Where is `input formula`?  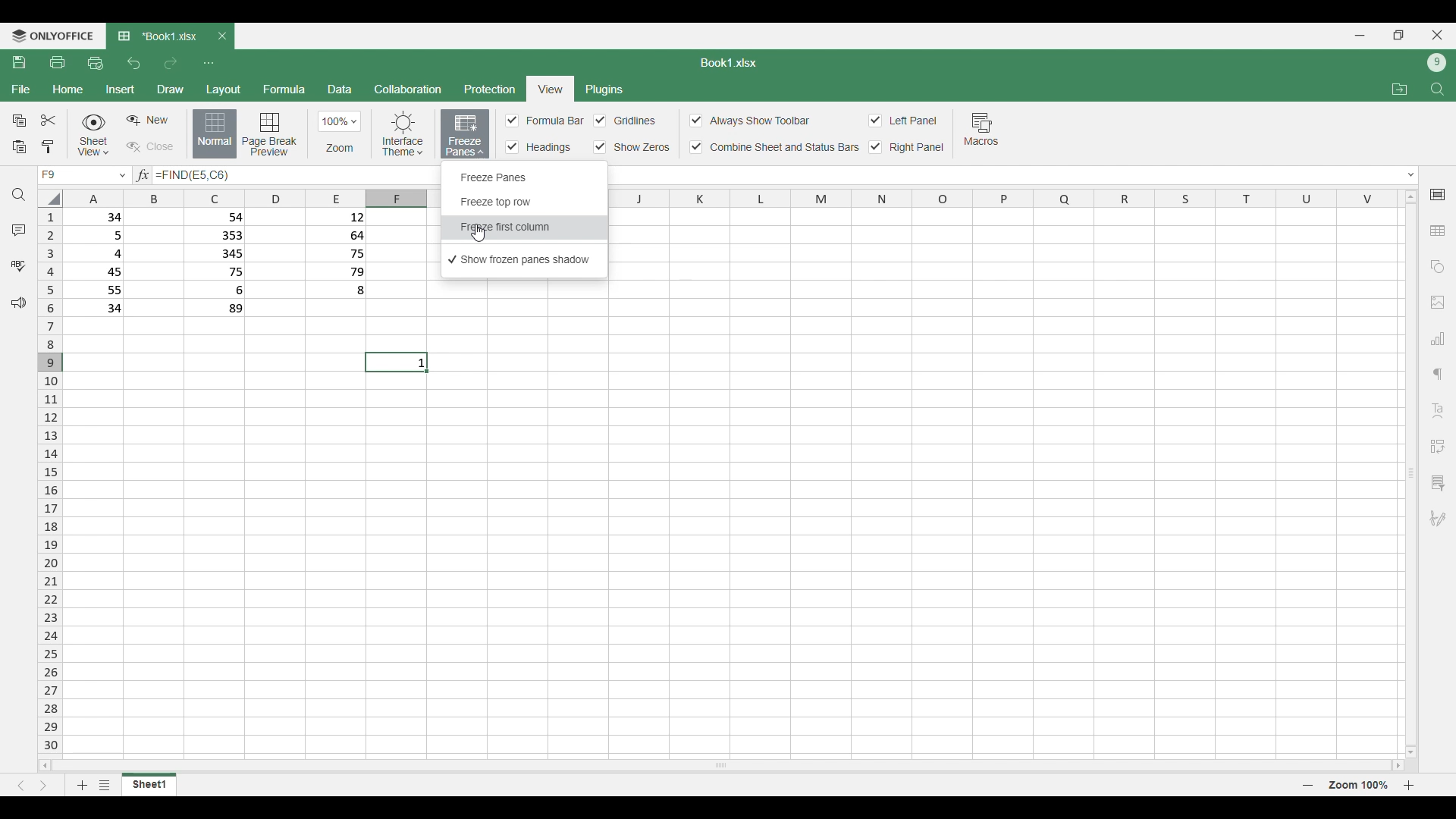 input formula is located at coordinates (146, 177).